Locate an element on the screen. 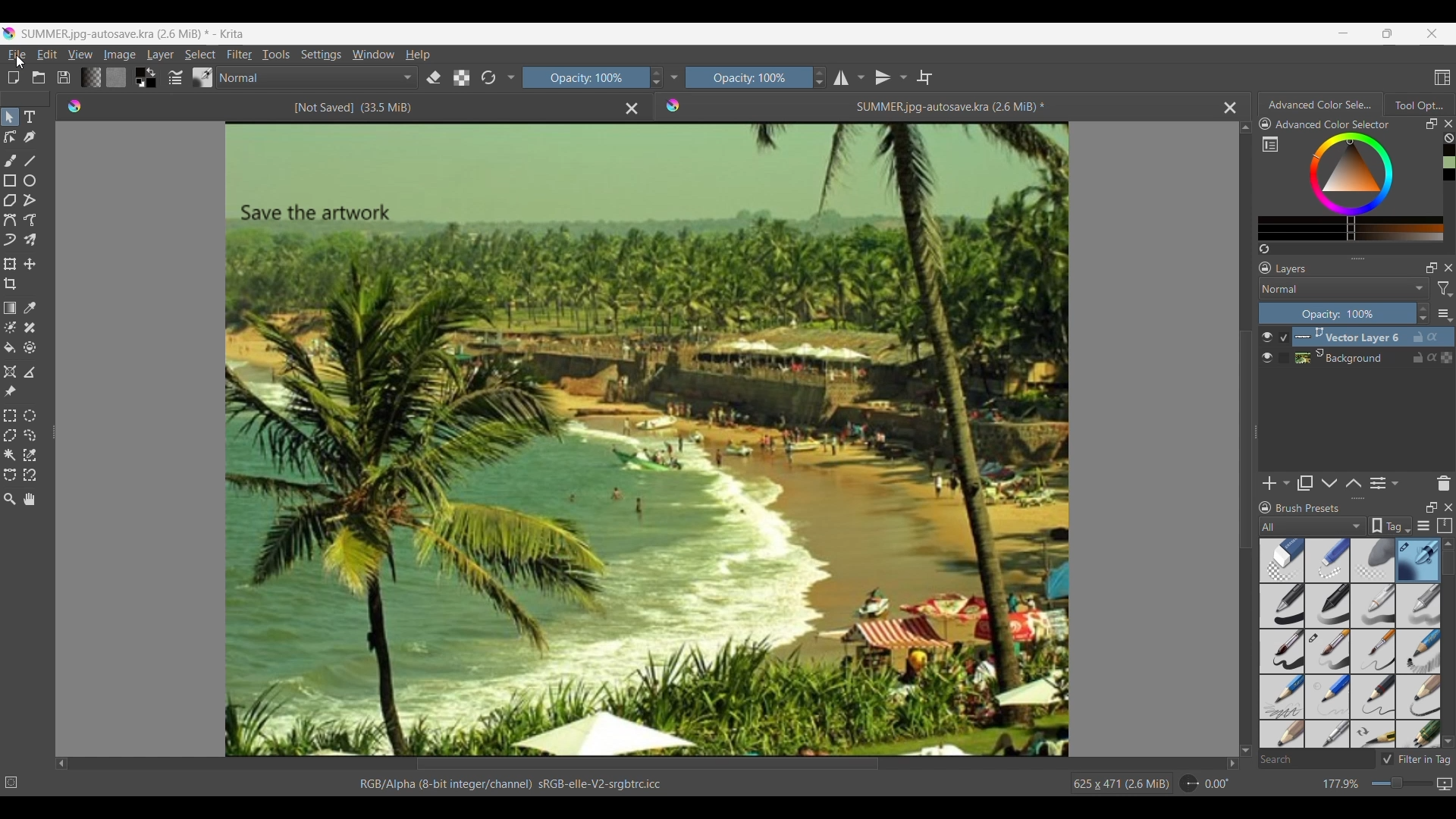  Clear all color history is located at coordinates (1448, 138).